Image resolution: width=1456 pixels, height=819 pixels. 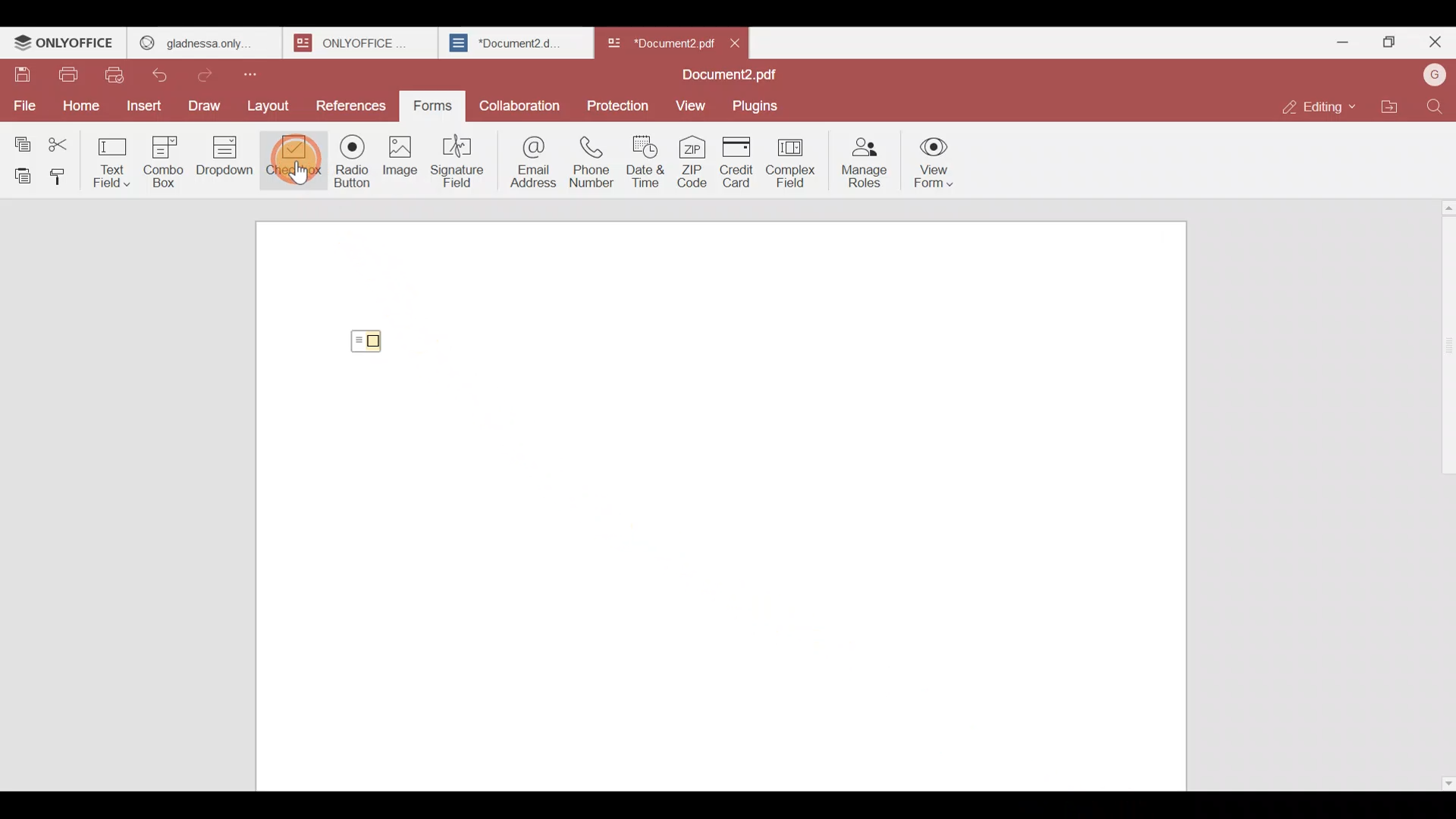 What do you see at coordinates (71, 76) in the screenshot?
I see `Print file` at bounding box center [71, 76].